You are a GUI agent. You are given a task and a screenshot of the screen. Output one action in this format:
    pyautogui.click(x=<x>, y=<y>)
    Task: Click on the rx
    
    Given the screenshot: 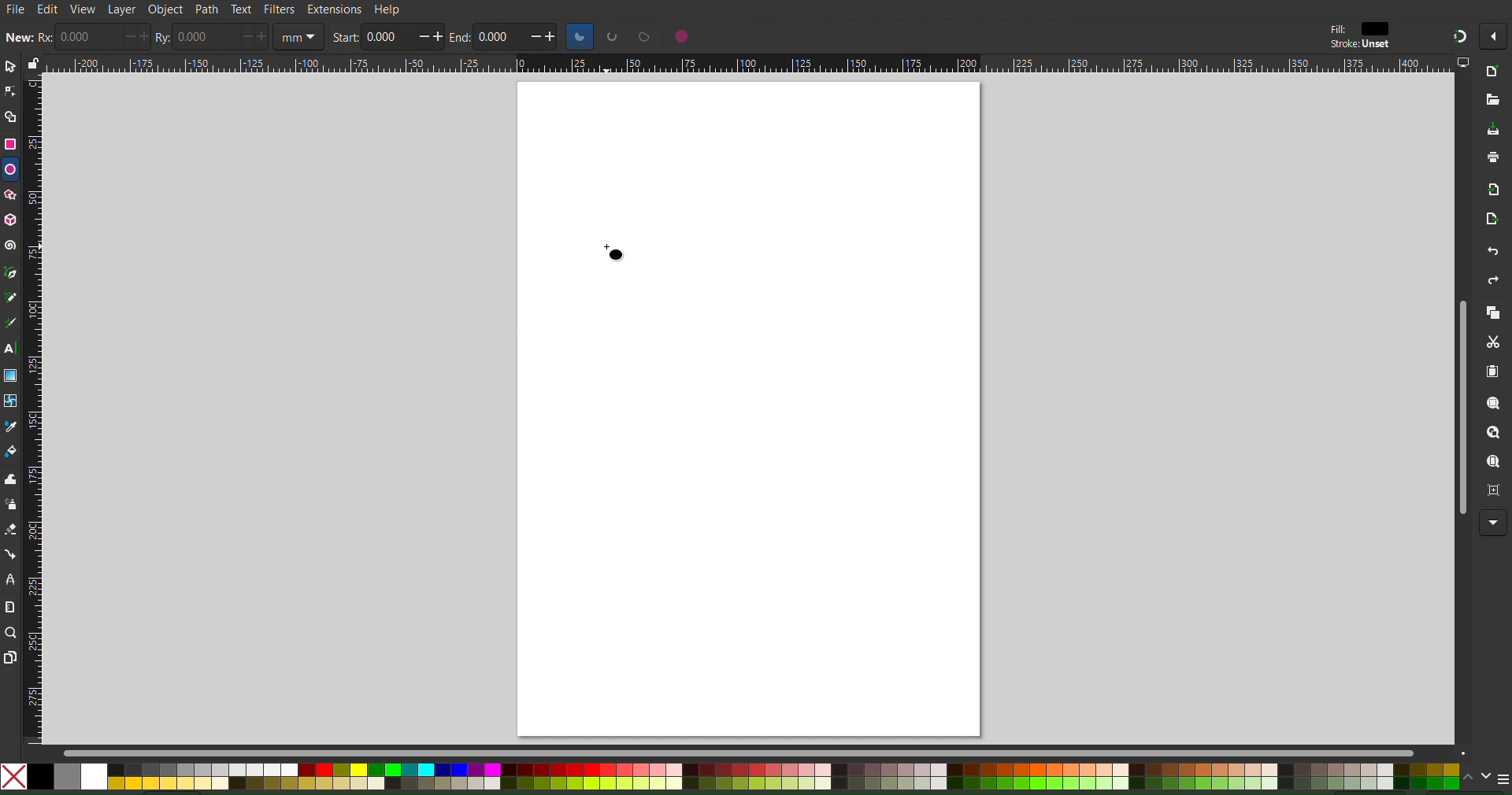 What is the action you would take?
    pyautogui.click(x=44, y=37)
    